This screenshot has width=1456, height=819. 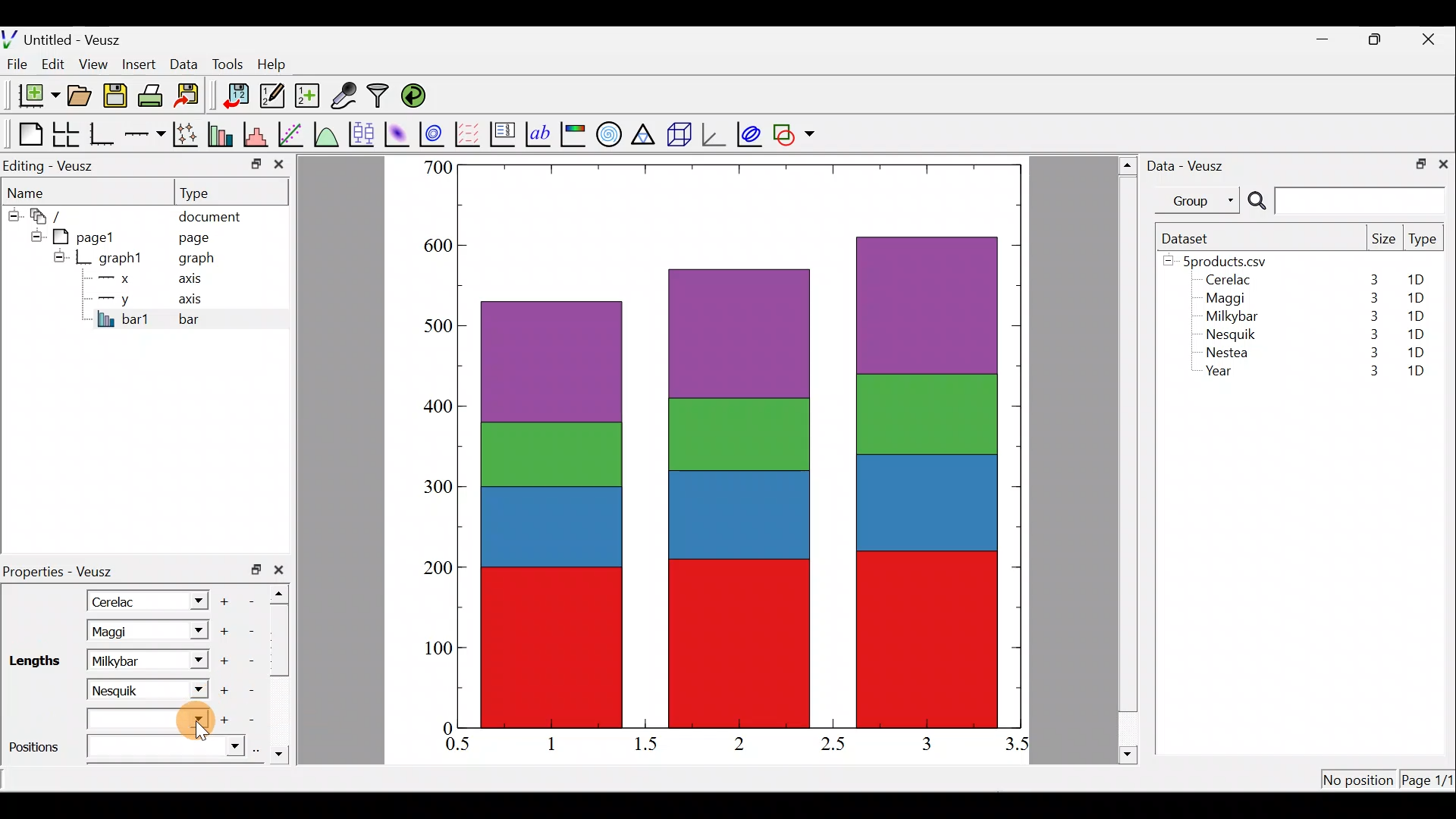 What do you see at coordinates (35, 190) in the screenshot?
I see `Name` at bounding box center [35, 190].